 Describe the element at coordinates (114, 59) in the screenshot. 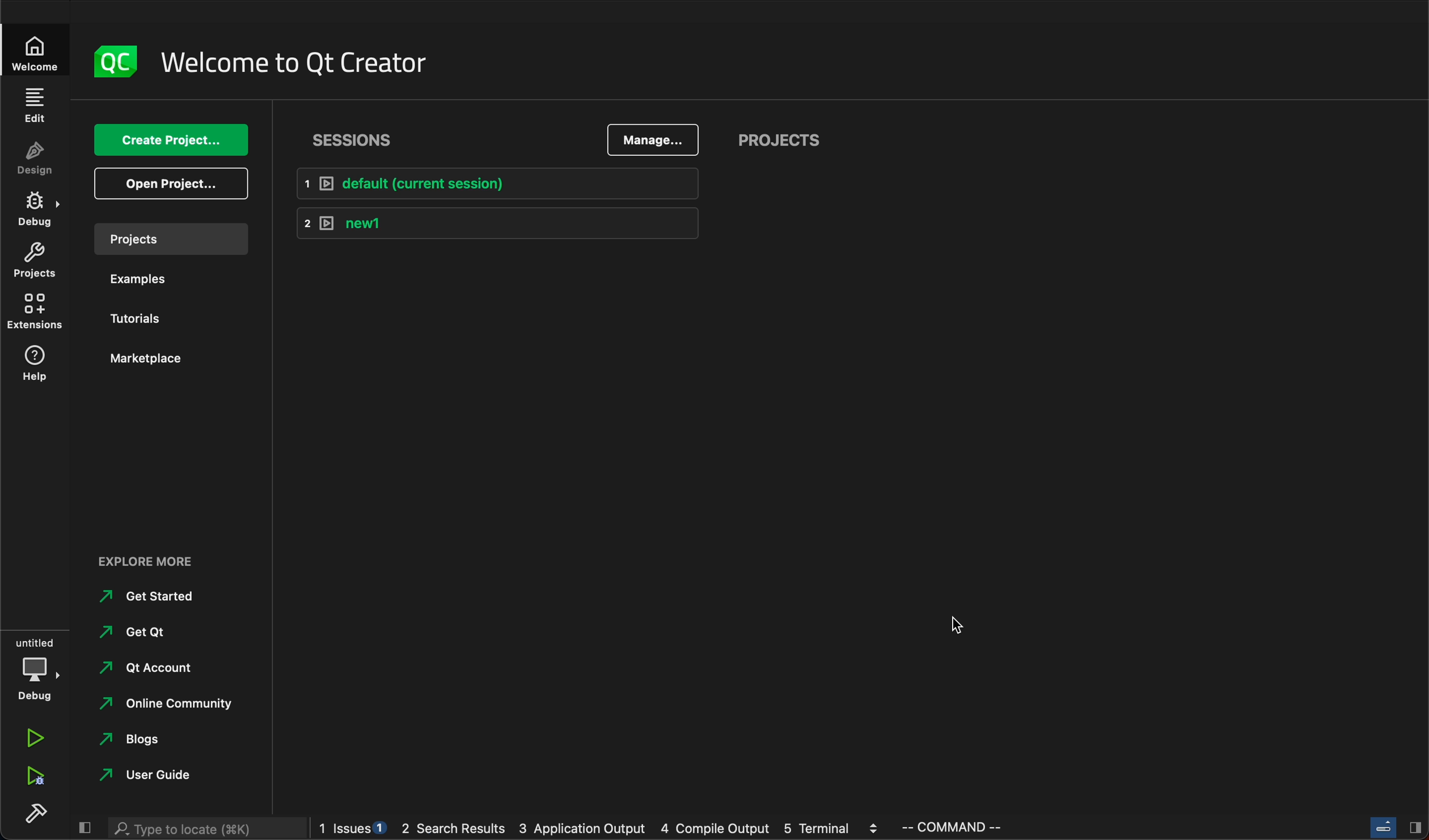

I see `logo` at that location.